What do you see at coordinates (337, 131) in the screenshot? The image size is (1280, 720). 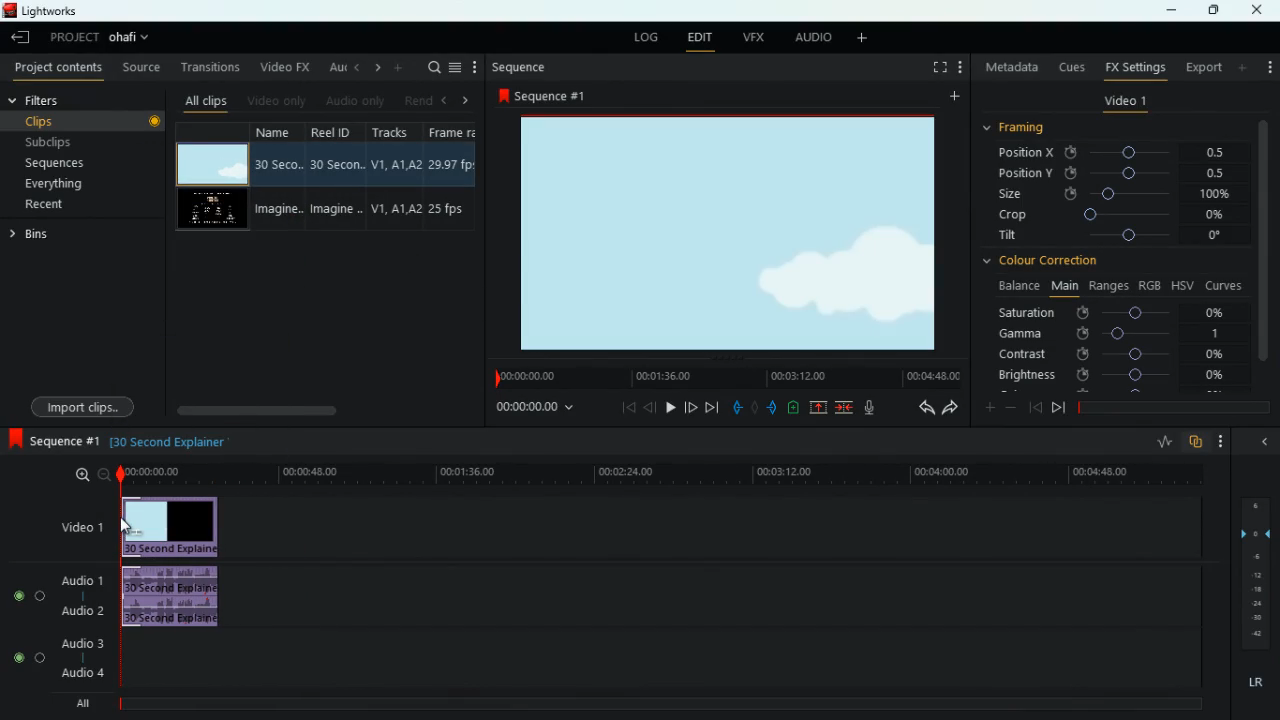 I see `reel id` at bounding box center [337, 131].